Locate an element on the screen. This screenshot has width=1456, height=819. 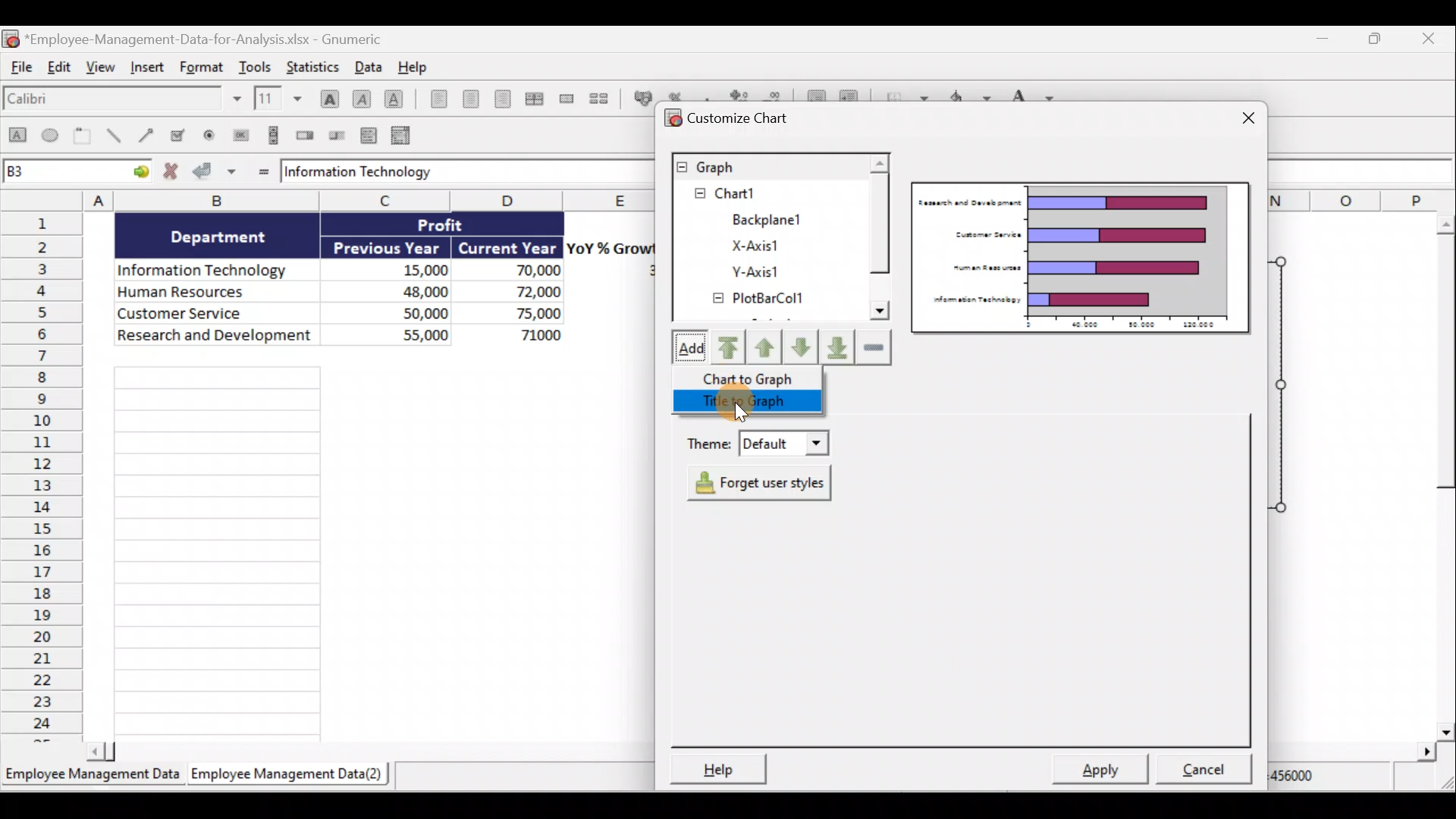
Add is located at coordinates (686, 348).